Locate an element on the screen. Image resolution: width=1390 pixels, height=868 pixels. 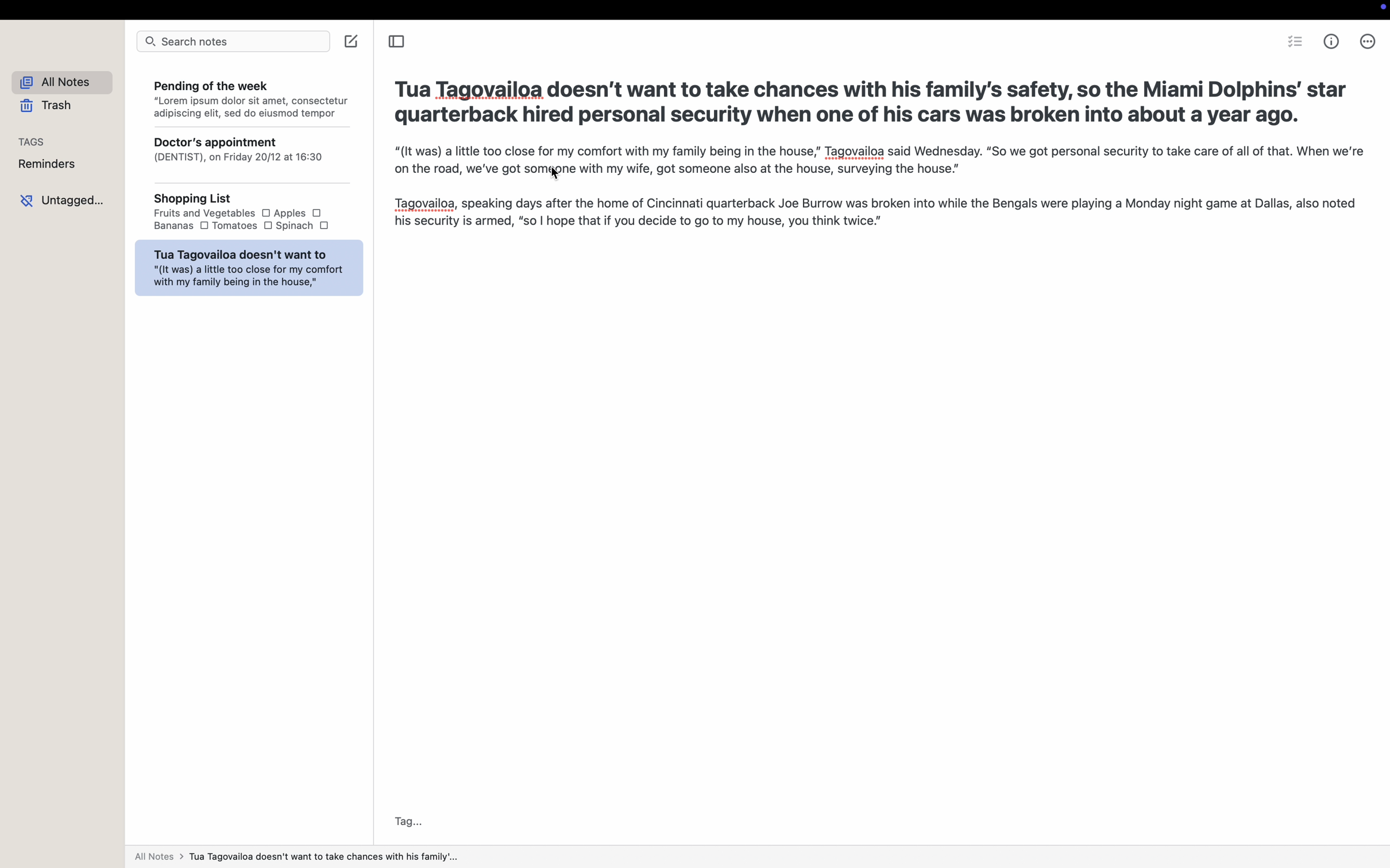
more options is located at coordinates (1366, 41).